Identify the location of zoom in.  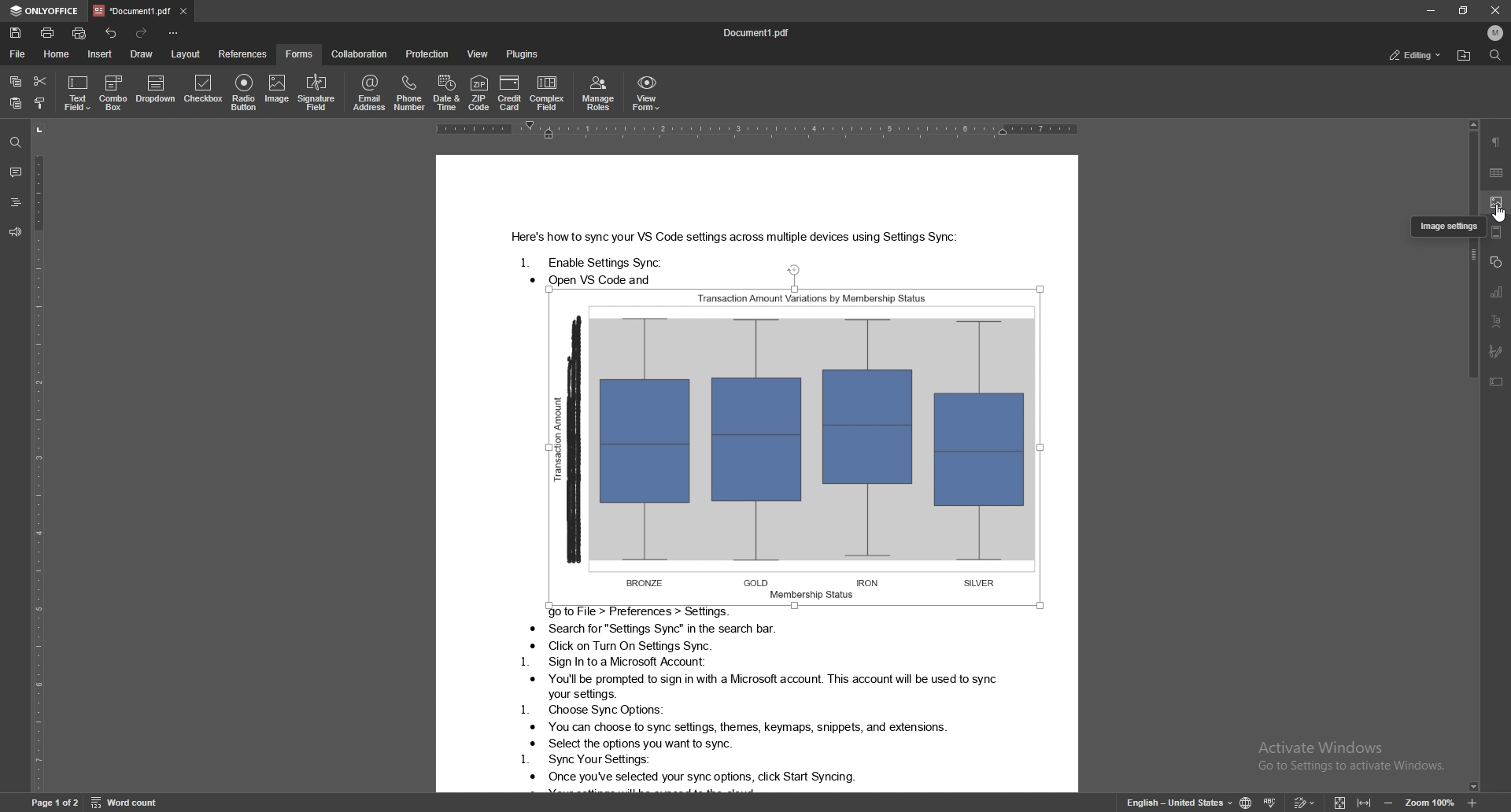
(1472, 803).